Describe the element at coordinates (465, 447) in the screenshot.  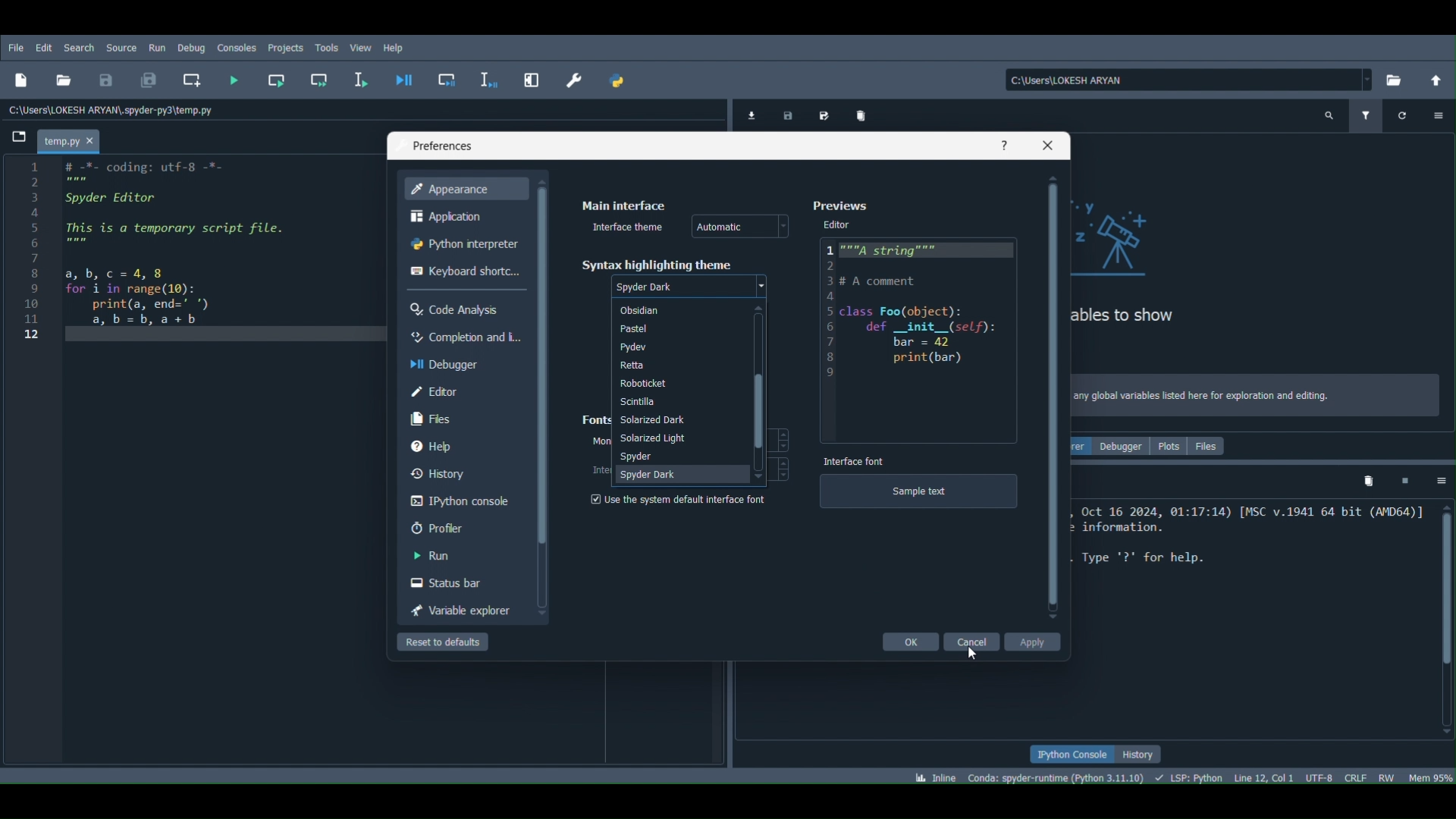
I see `Help` at that location.